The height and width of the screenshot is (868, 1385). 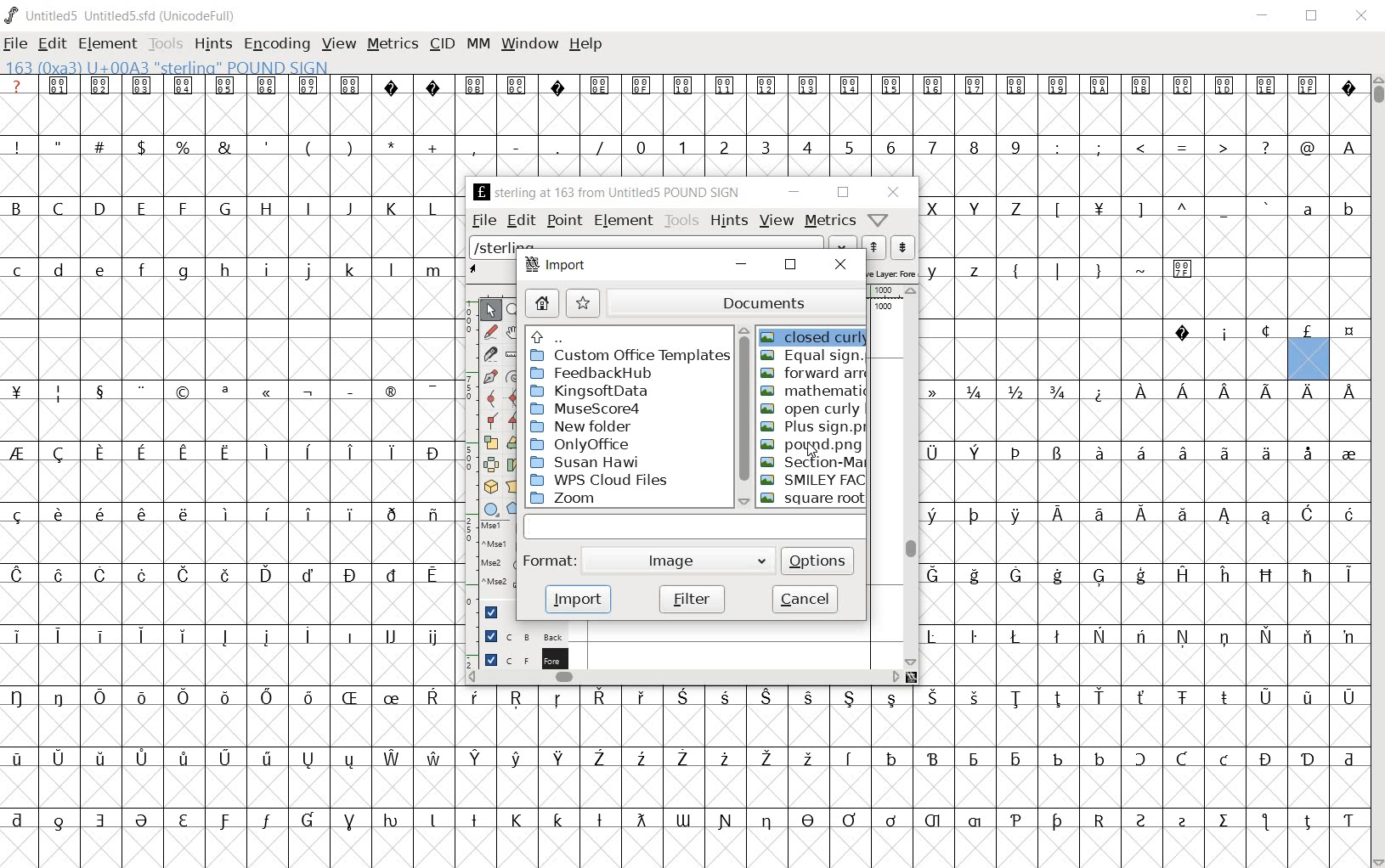 I want to click on Symbol, so click(x=1265, y=454).